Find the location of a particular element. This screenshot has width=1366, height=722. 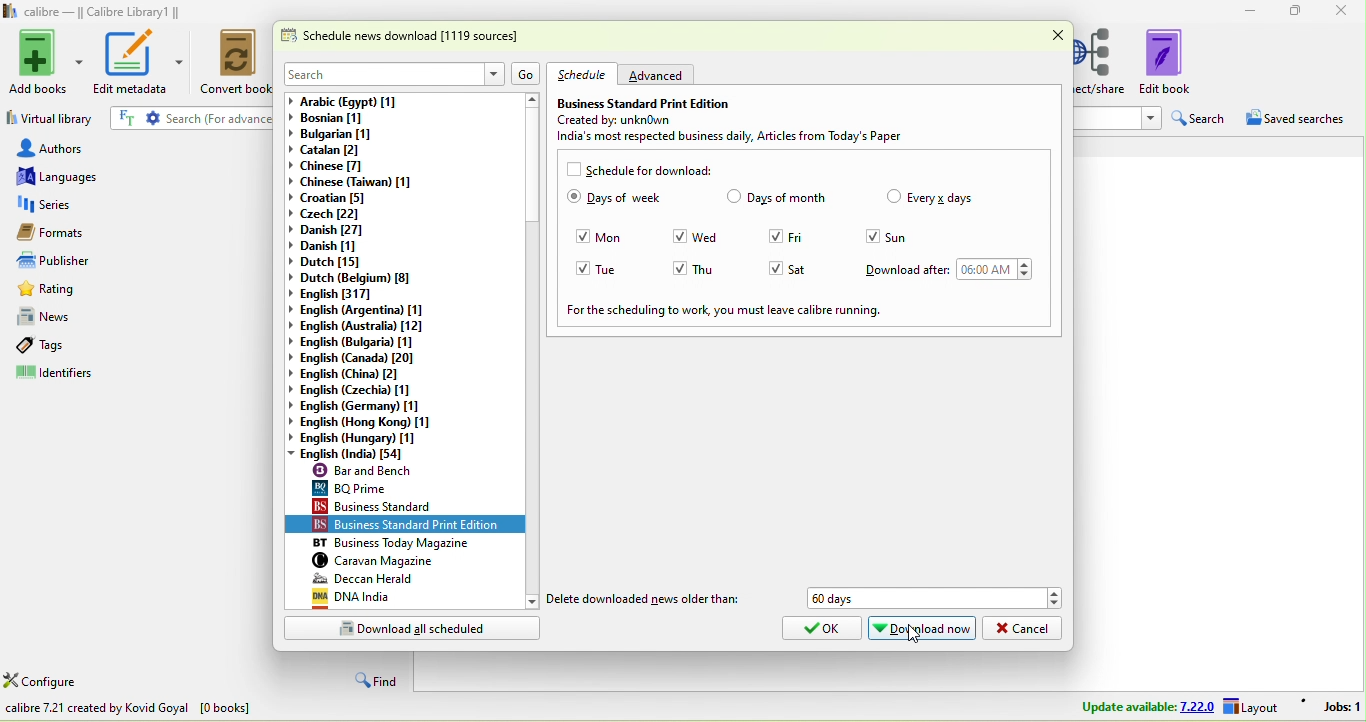

Checkbox is located at coordinates (583, 269).